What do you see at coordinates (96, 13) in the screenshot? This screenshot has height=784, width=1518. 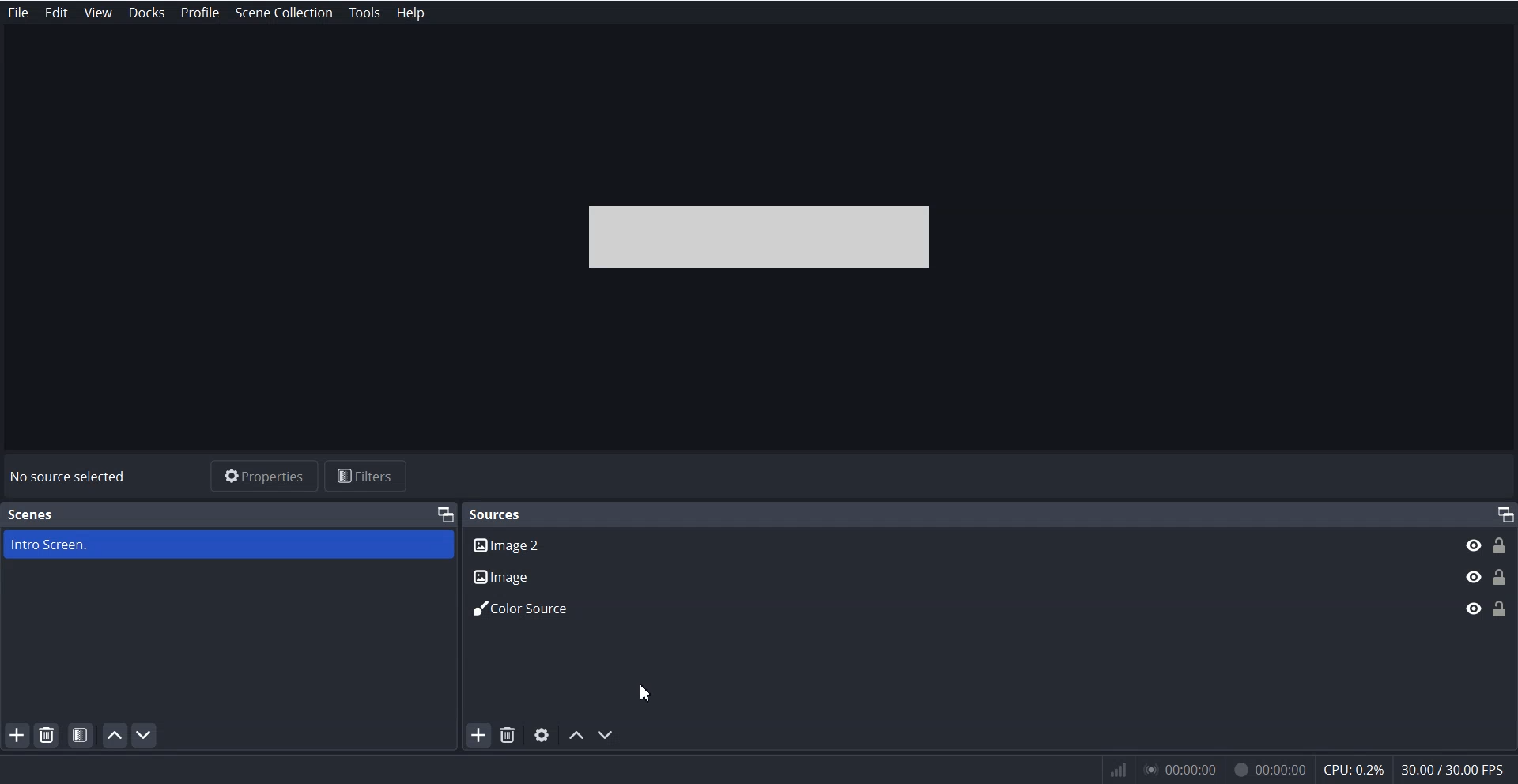 I see `View` at bounding box center [96, 13].